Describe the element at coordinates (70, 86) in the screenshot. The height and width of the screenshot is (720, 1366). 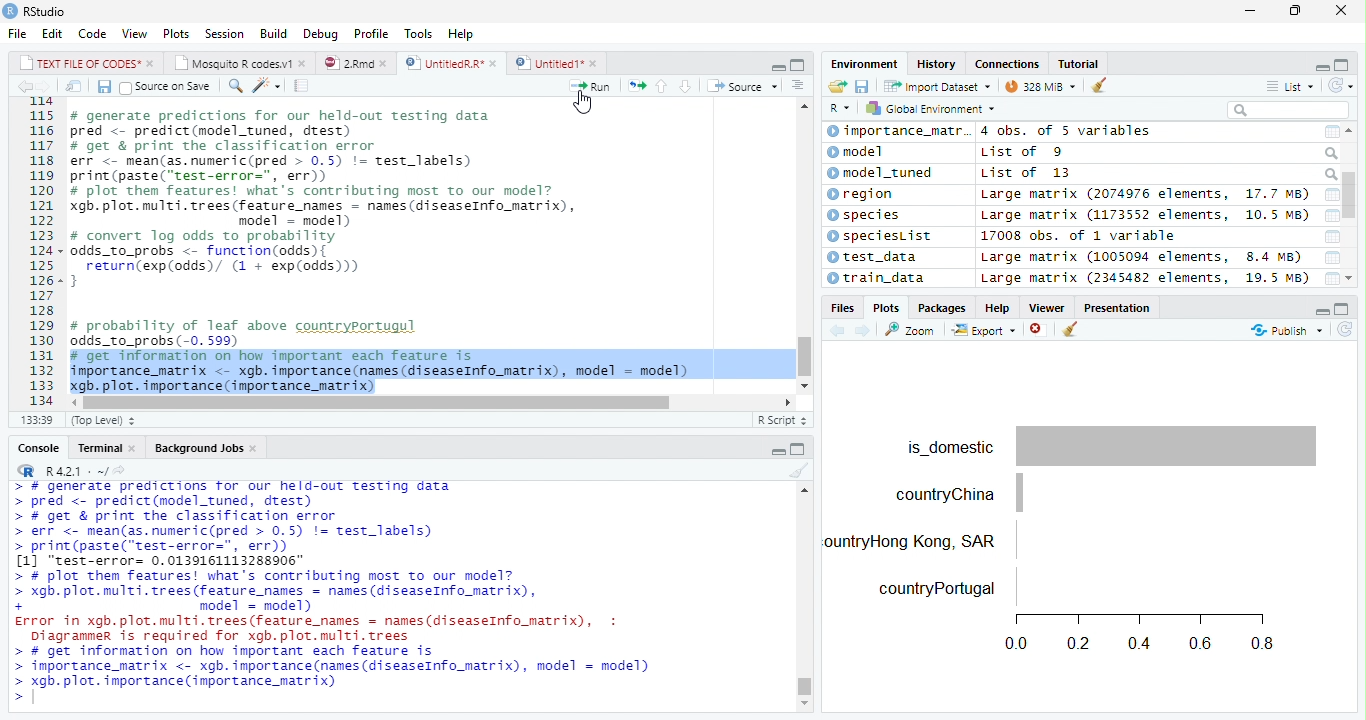
I see `Show in new window` at that location.